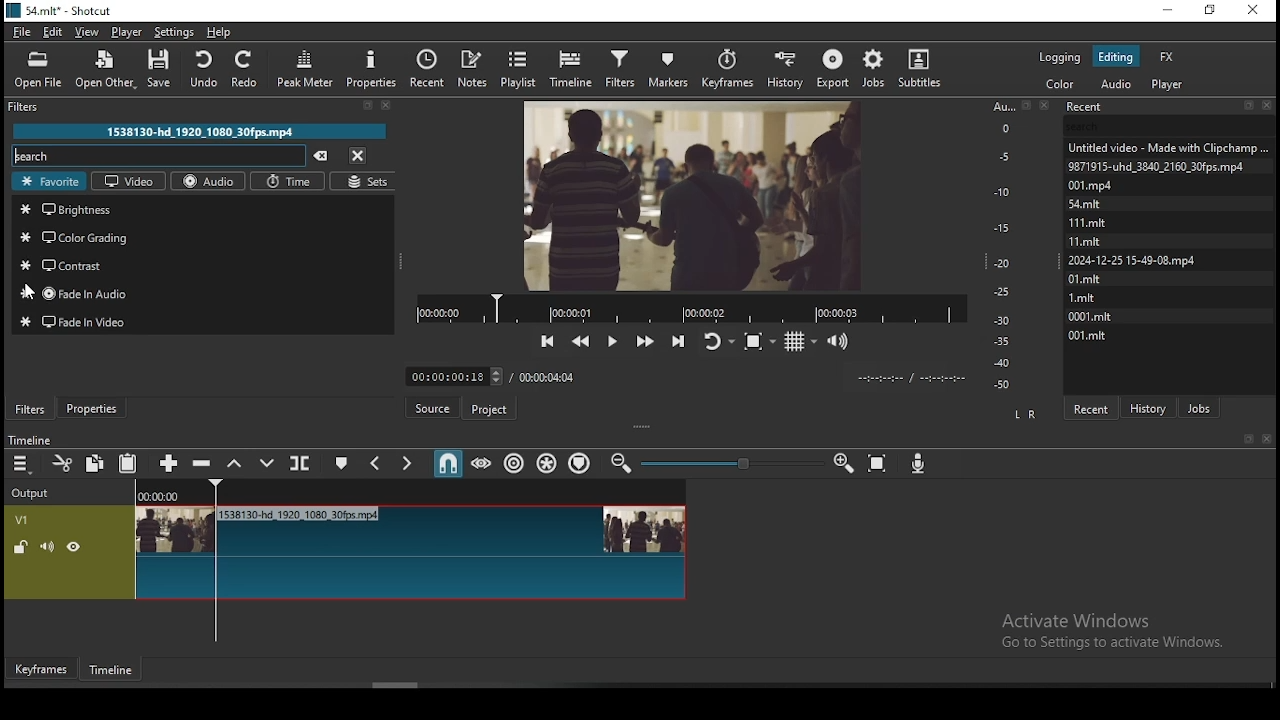  Describe the element at coordinates (159, 155) in the screenshot. I see `search` at that location.